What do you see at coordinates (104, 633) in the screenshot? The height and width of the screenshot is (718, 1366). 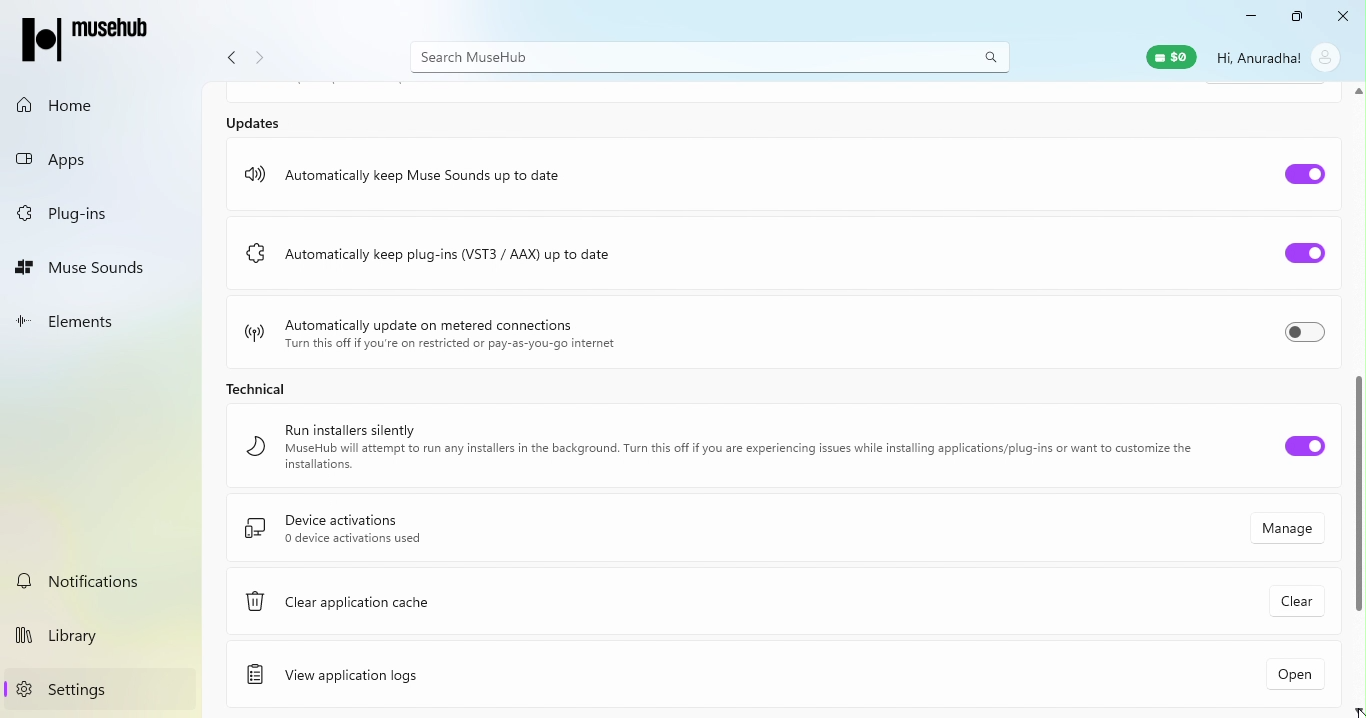 I see `Library` at bounding box center [104, 633].